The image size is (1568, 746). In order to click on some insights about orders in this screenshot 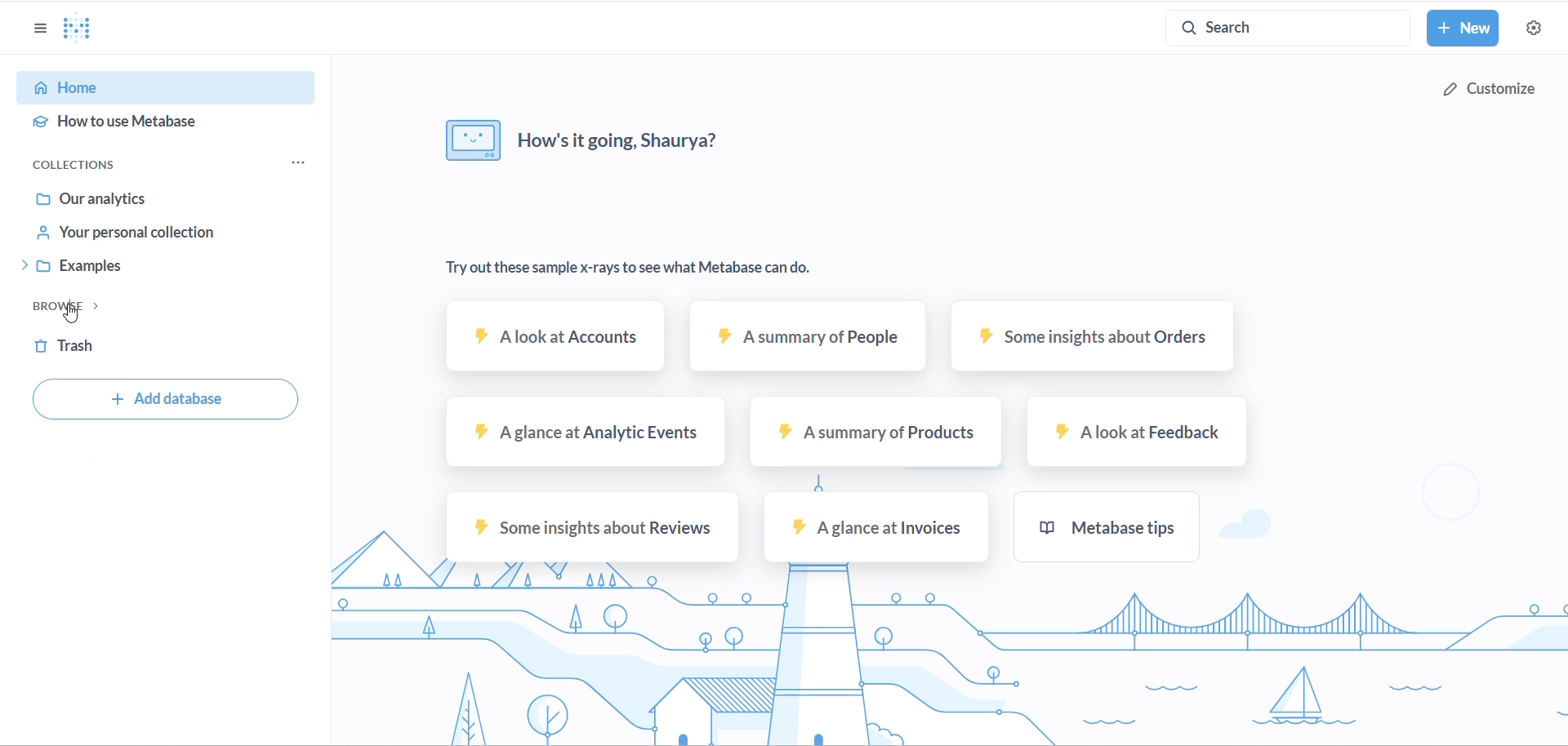, I will do `click(1094, 343)`.